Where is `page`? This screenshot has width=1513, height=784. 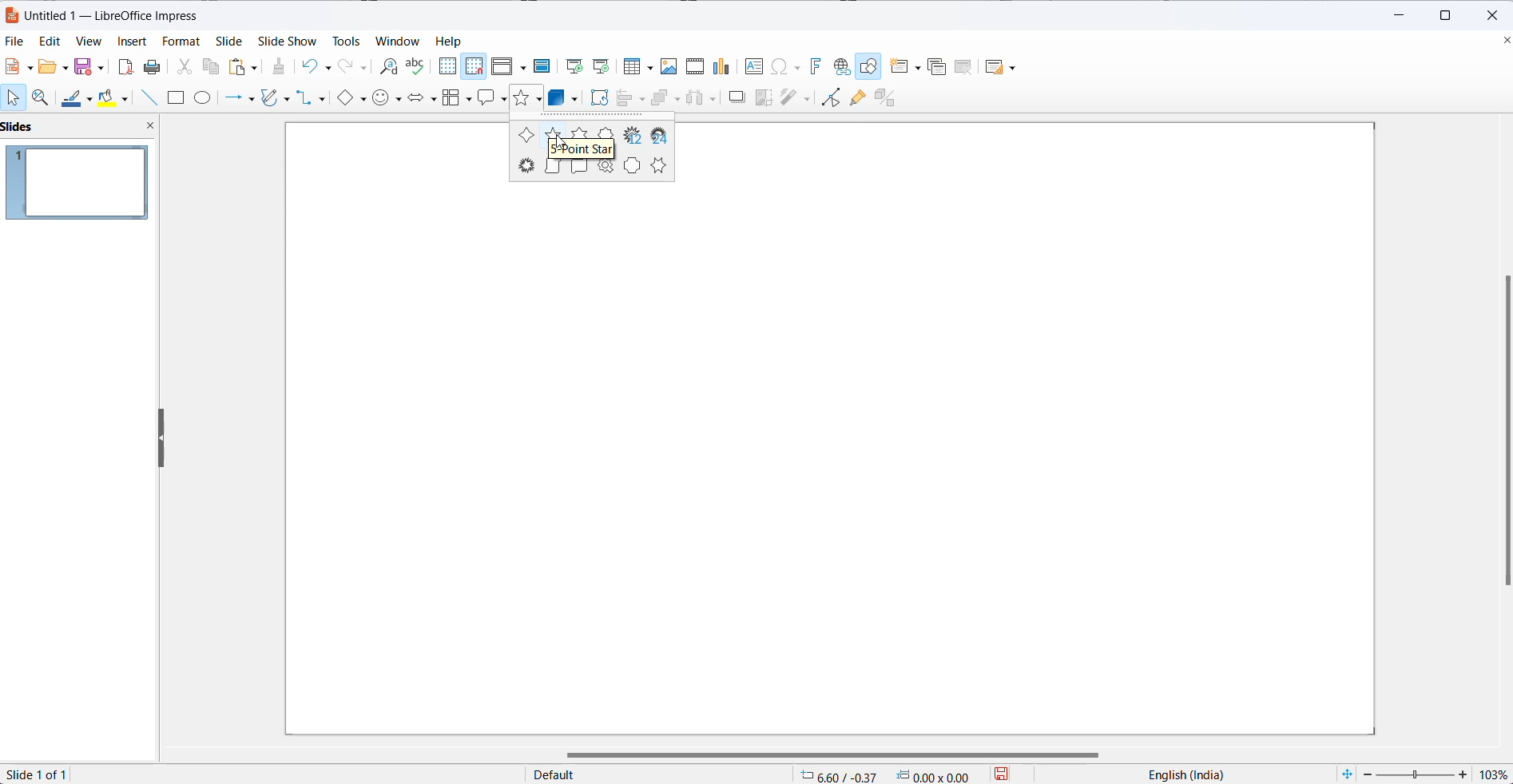
page is located at coordinates (826, 458).